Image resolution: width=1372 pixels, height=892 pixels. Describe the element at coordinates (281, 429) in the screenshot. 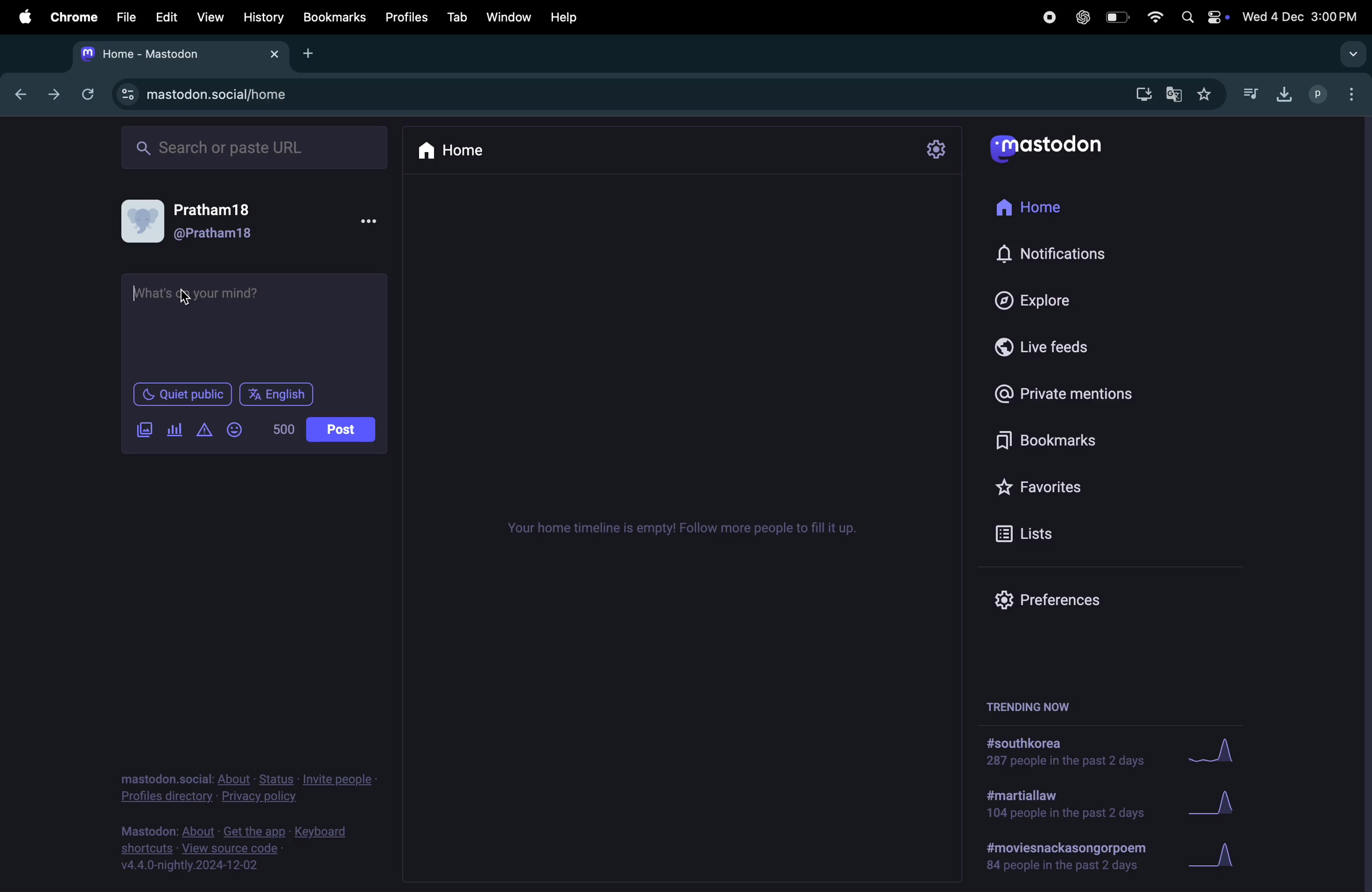

I see `500` at that location.